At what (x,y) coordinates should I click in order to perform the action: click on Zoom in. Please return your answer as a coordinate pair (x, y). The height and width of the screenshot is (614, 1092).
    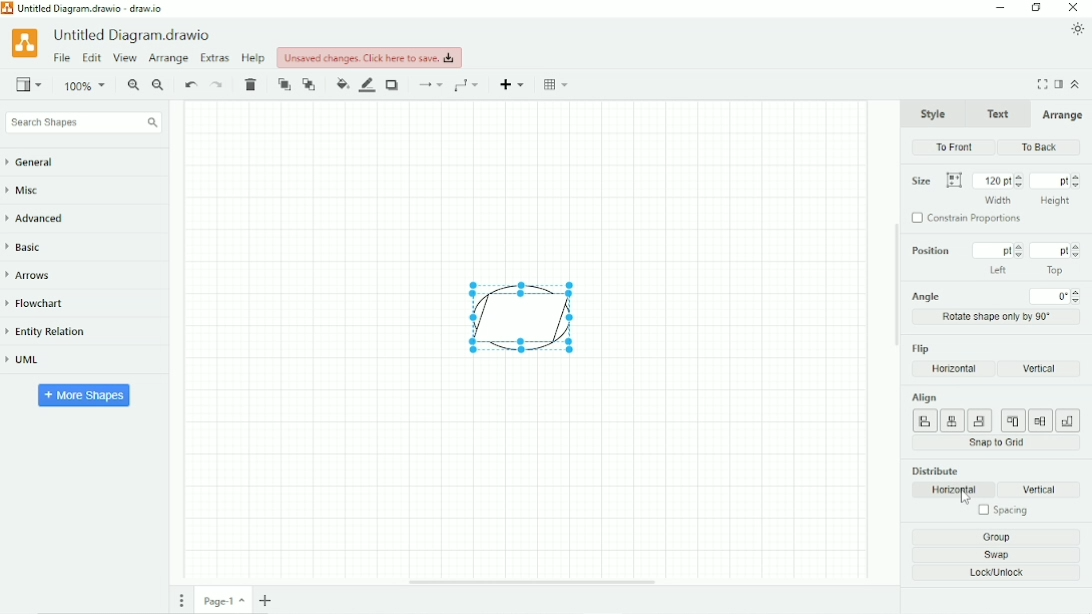
    Looking at the image, I should click on (133, 86).